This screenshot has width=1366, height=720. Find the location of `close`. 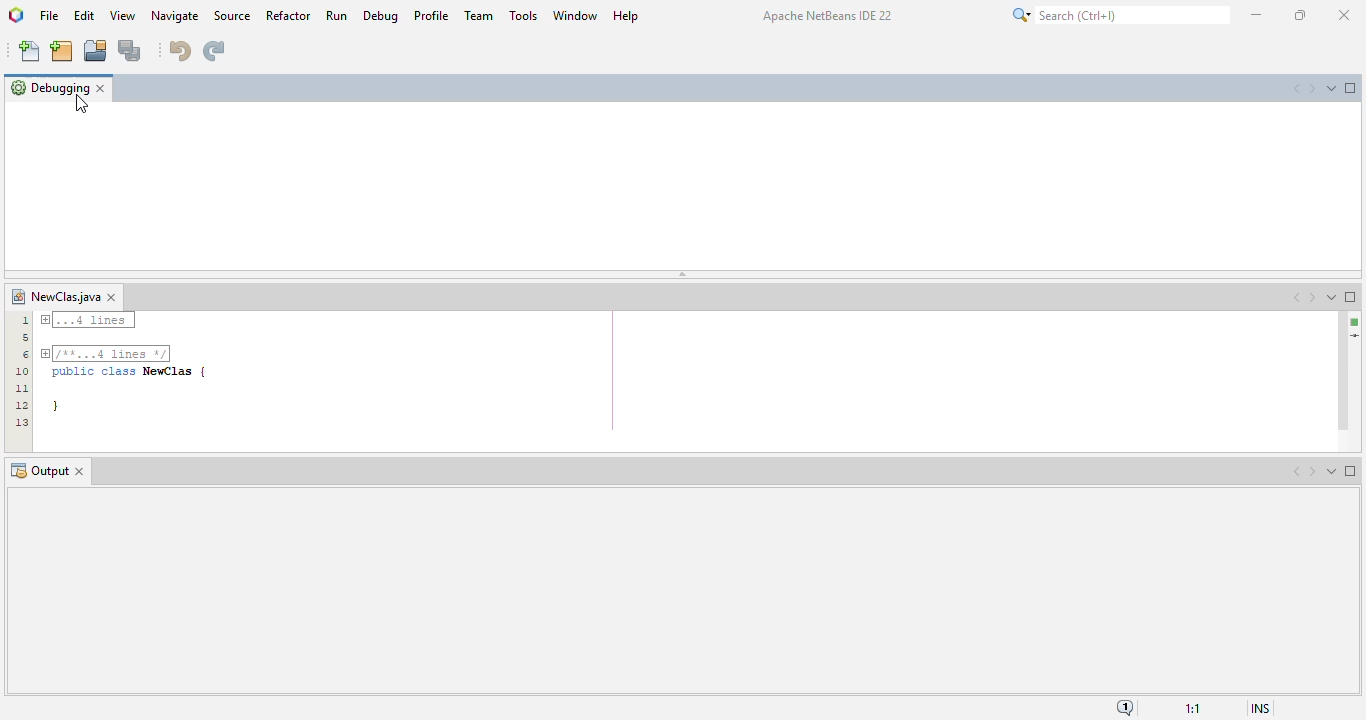

close is located at coordinates (1343, 15).